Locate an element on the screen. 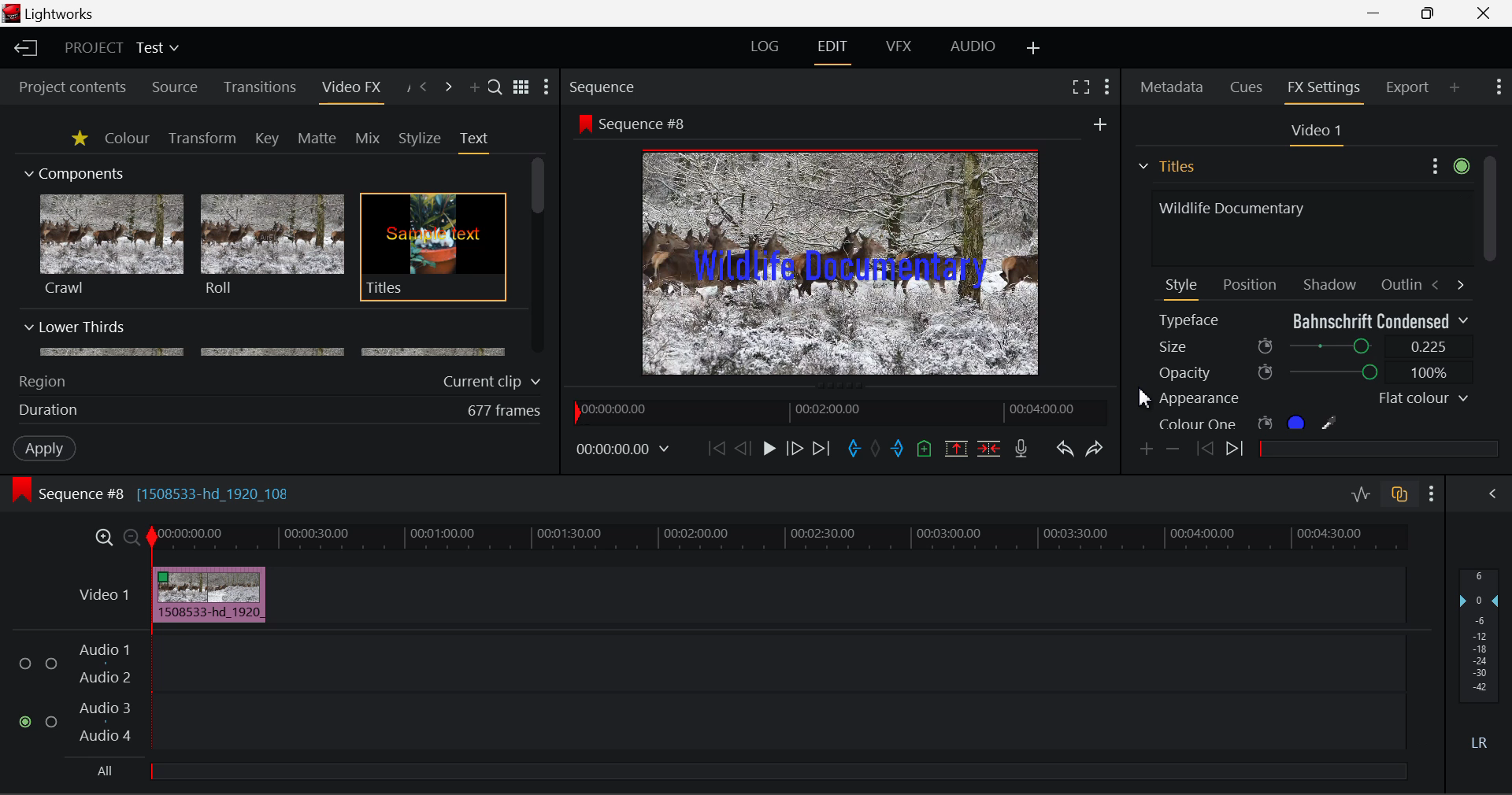 Image resolution: width=1512 pixels, height=795 pixels. Full Screen is located at coordinates (1081, 86).